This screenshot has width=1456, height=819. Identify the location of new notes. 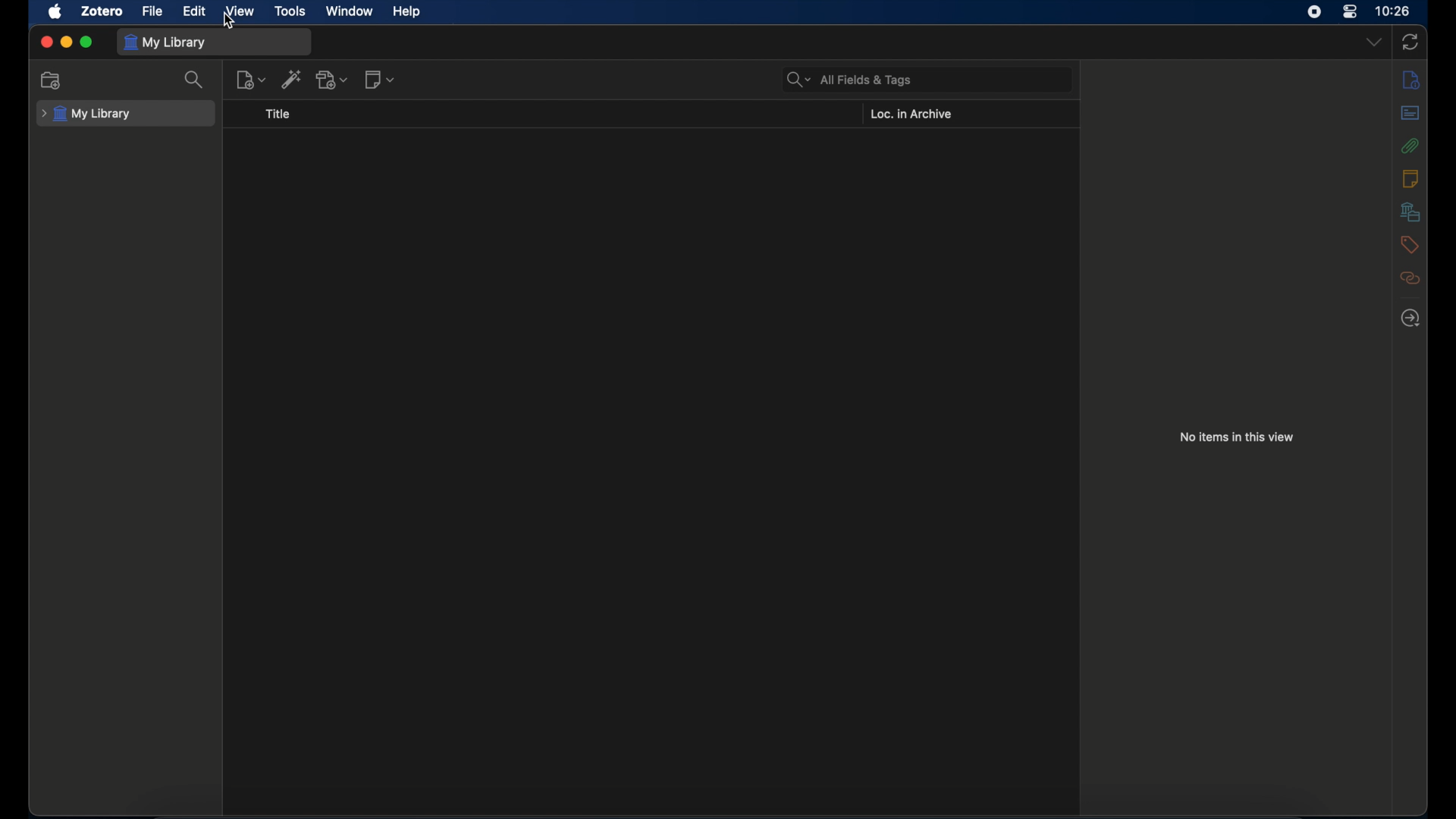
(379, 80).